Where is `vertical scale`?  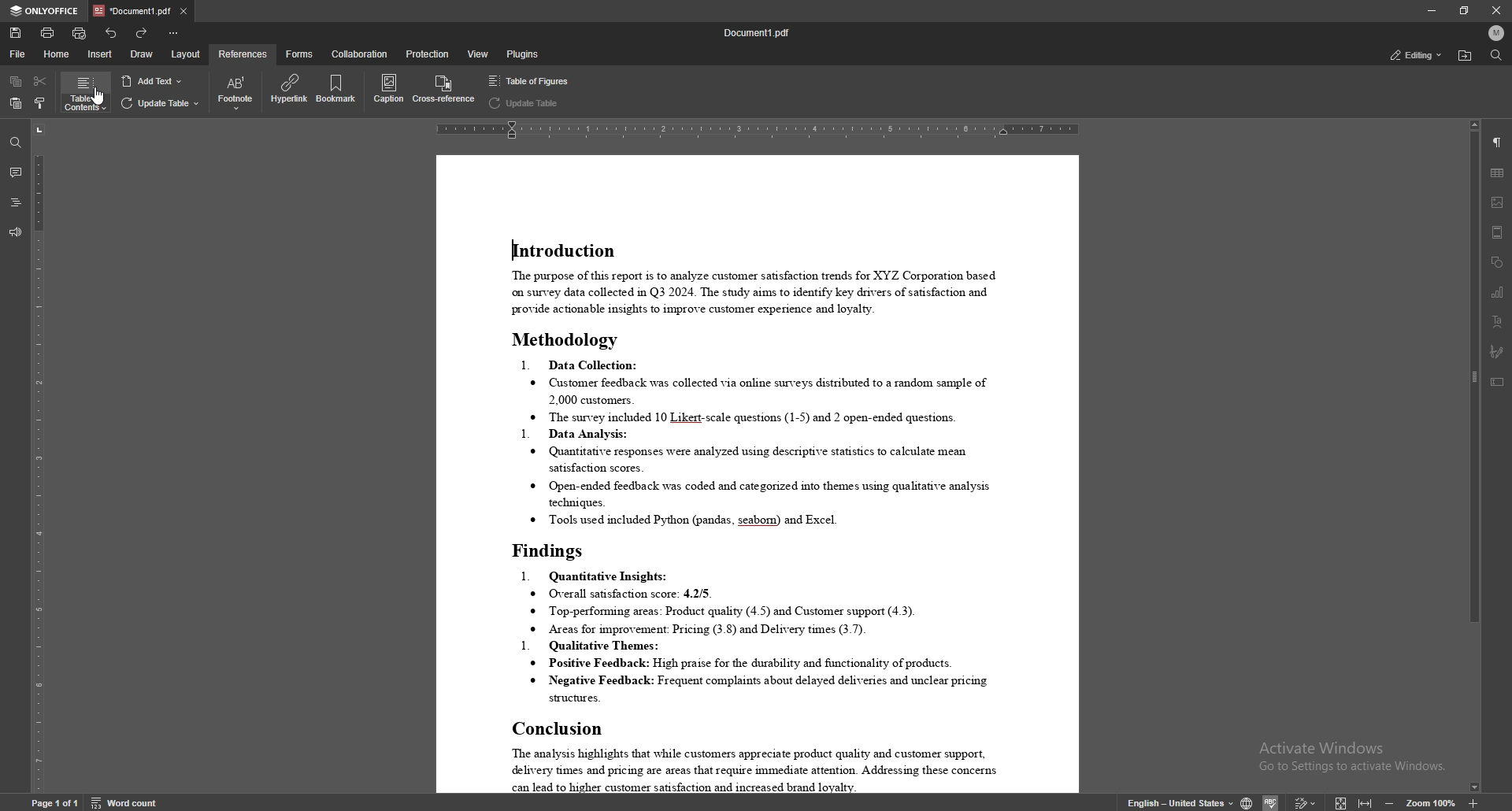 vertical scale is located at coordinates (35, 457).